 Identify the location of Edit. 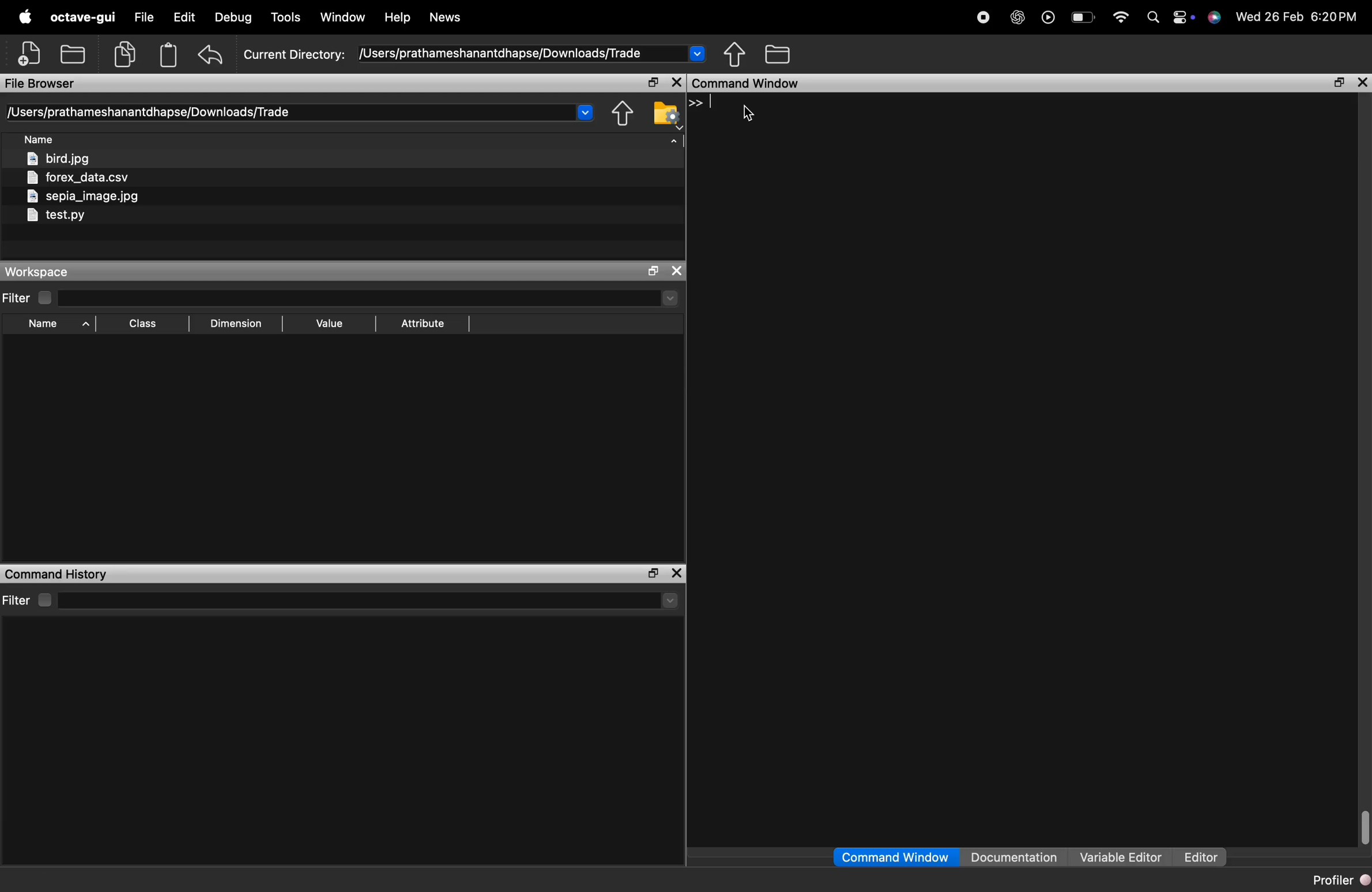
(184, 16).